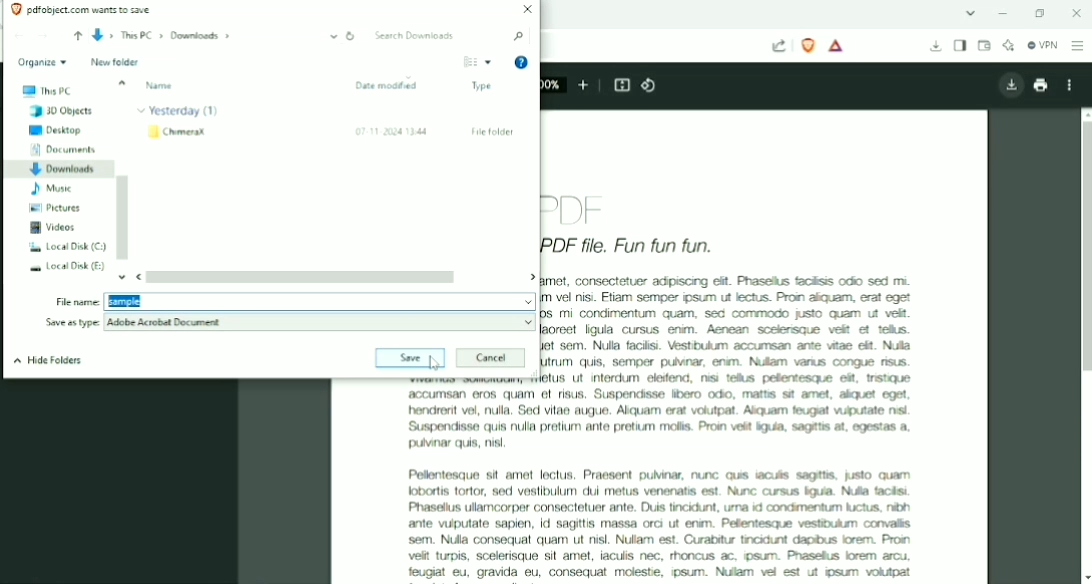 The width and height of the screenshot is (1092, 584). What do you see at coordinates (41, 63) in the screenshot?
I see `Organize` at bounding box center [41, 63].